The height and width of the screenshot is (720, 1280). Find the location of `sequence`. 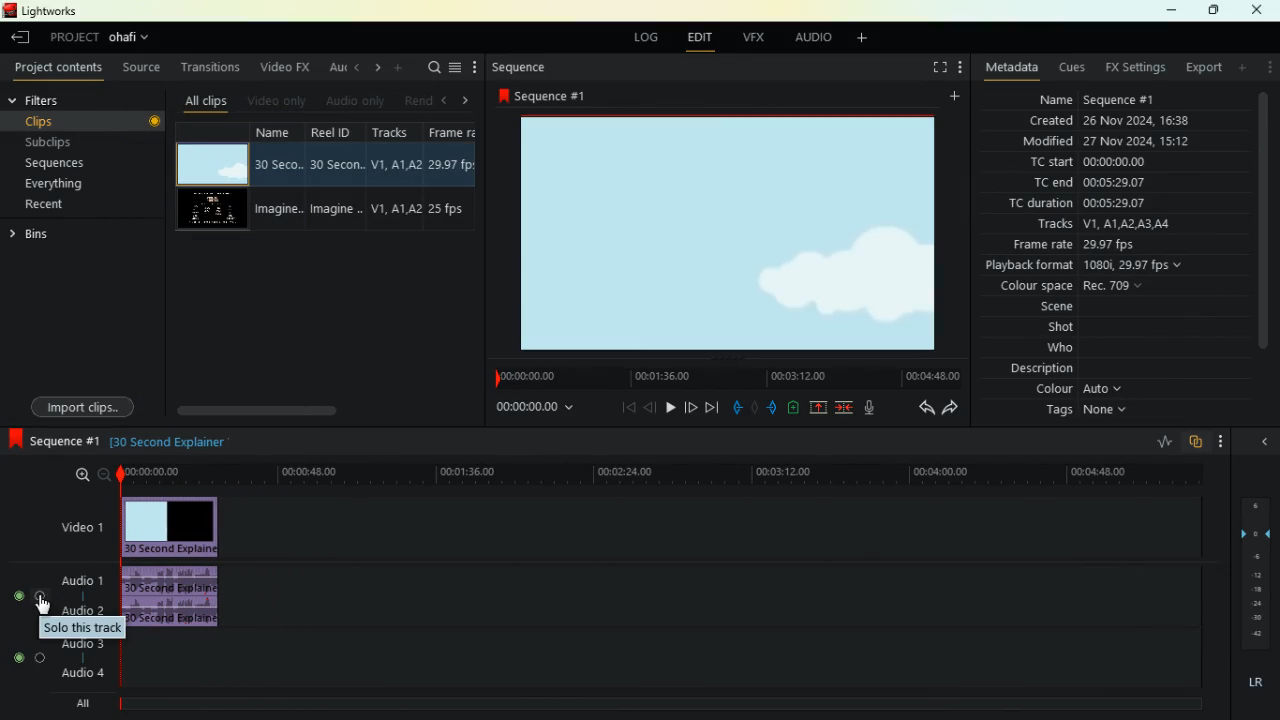

sequence is located at coordinates (542, 97).